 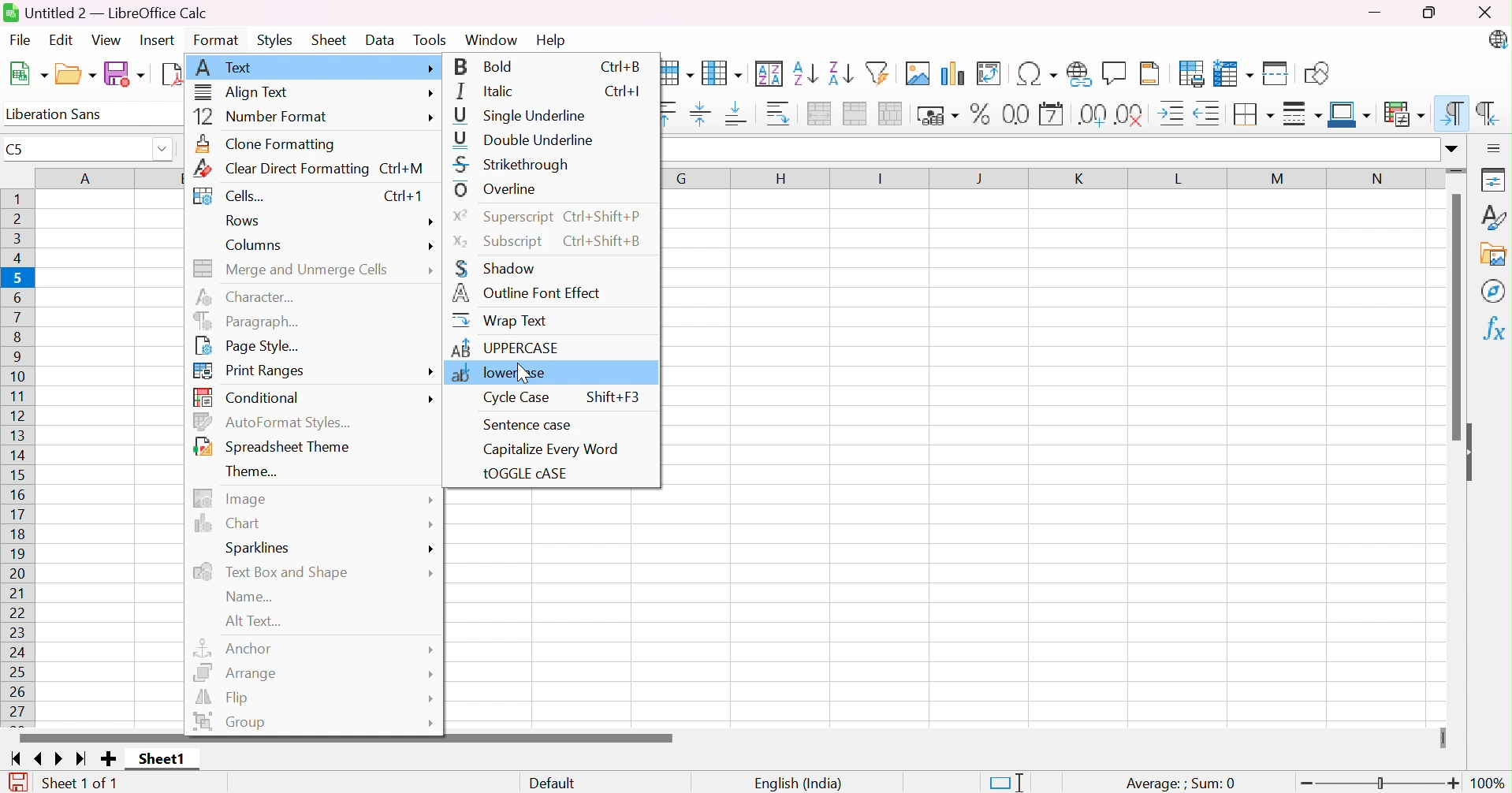 What do you see at coordinates (1182, 784) in the screenshot?
I see `Average: ;Sum: 0` at bounding box center [1182, 784].